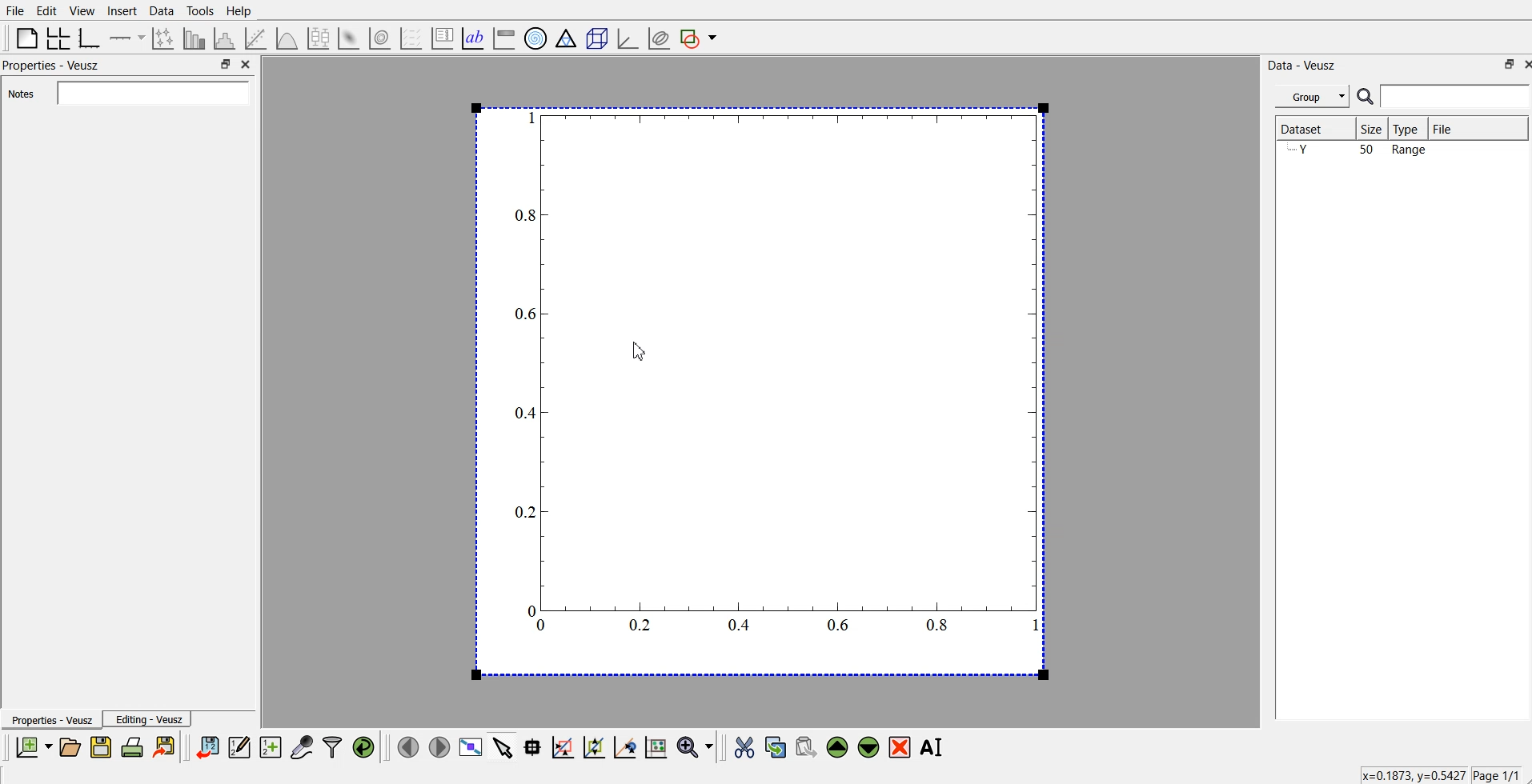  I want to click on plot covariance ellipses, so click(658, 37).